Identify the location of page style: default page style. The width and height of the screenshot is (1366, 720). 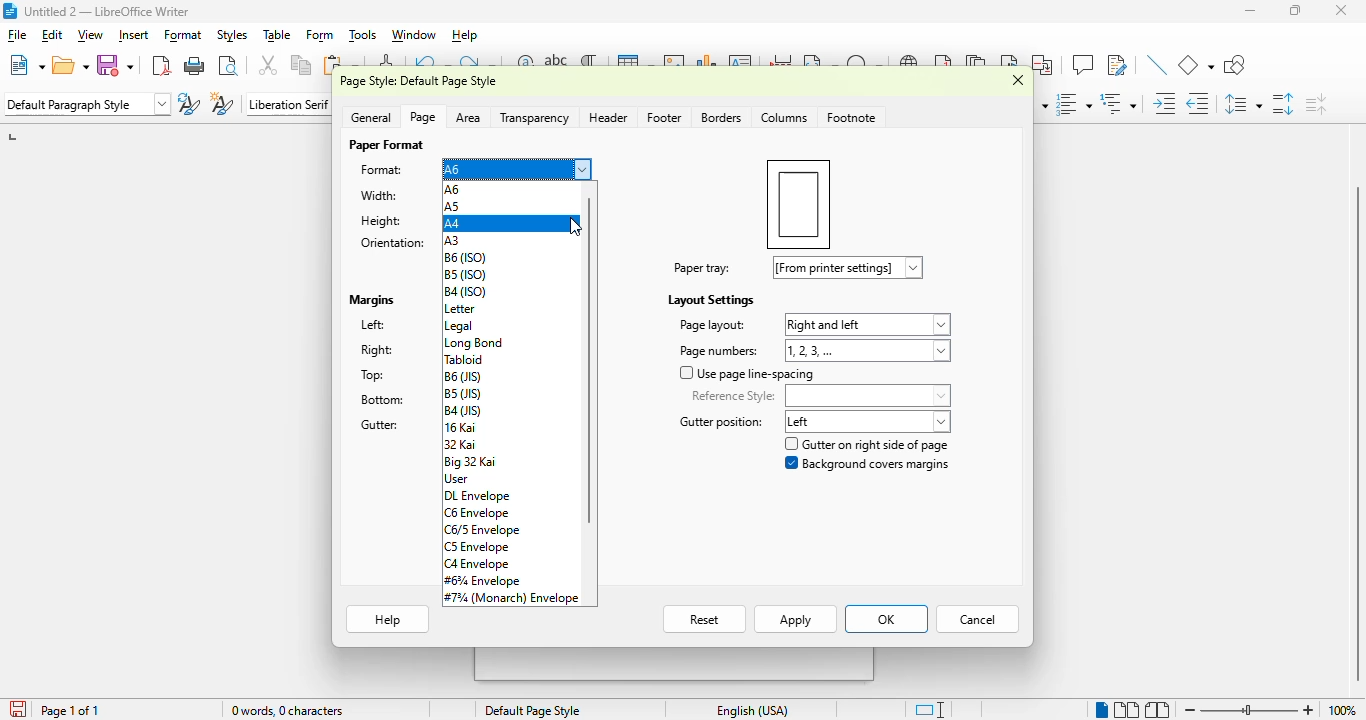
(418, 81).